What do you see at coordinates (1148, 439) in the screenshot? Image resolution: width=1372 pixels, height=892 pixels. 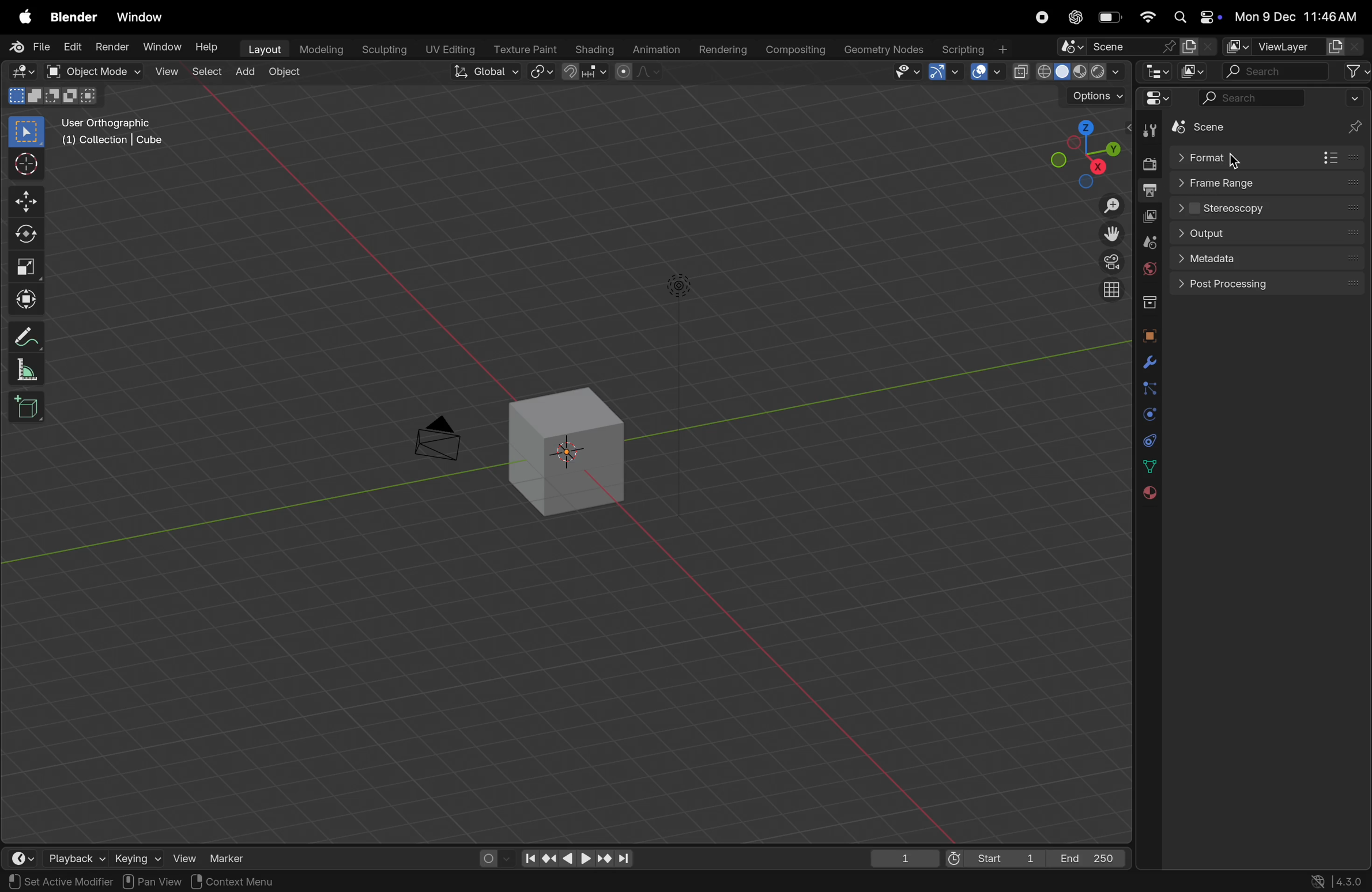 I see `constarints` at bounding box center [1148, 439].